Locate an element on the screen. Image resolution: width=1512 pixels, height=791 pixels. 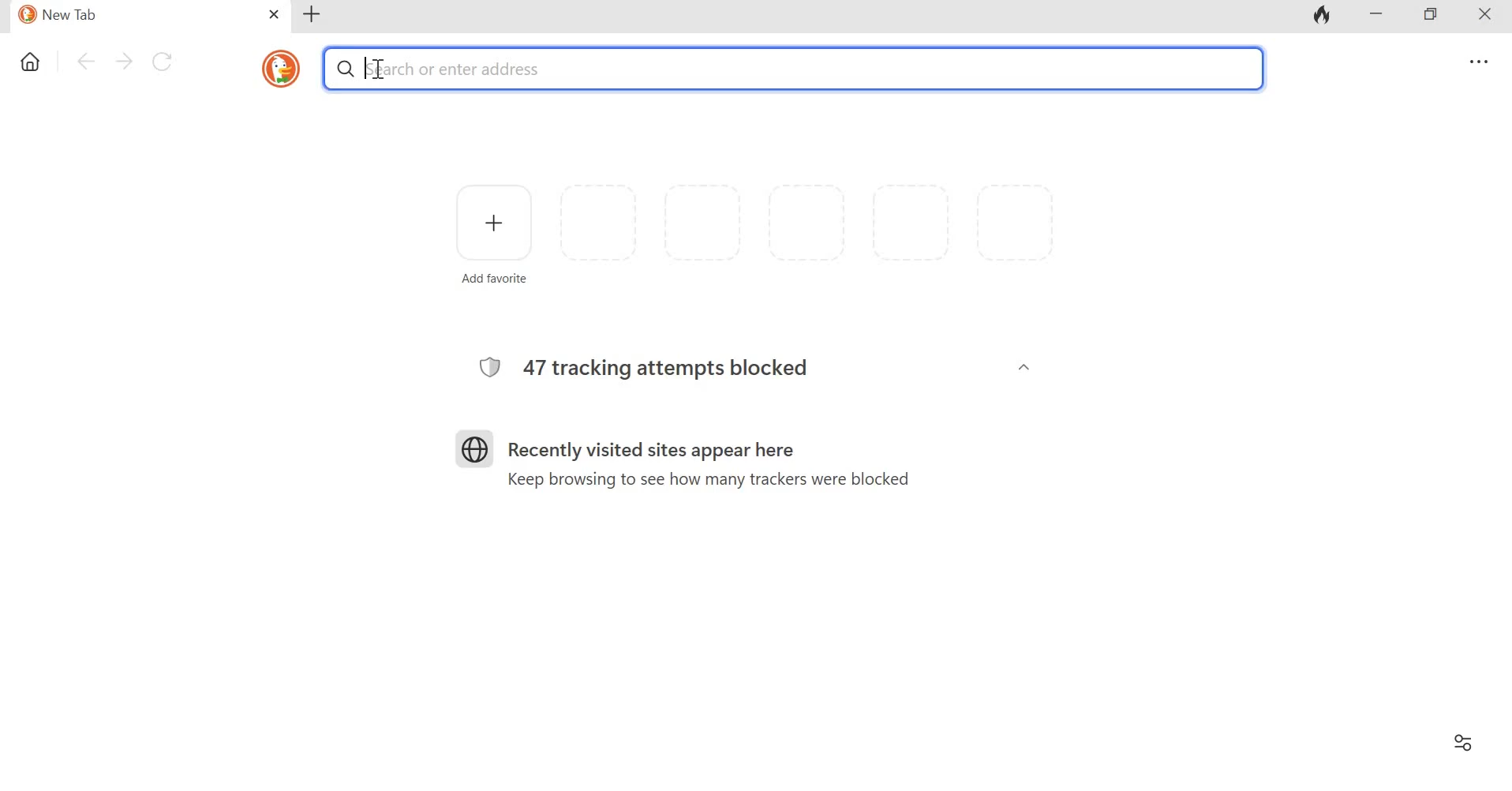
Recently visited sites appear here. Keep browsing to see how many trackers were blocked.  is located at coordinates (705, 458).